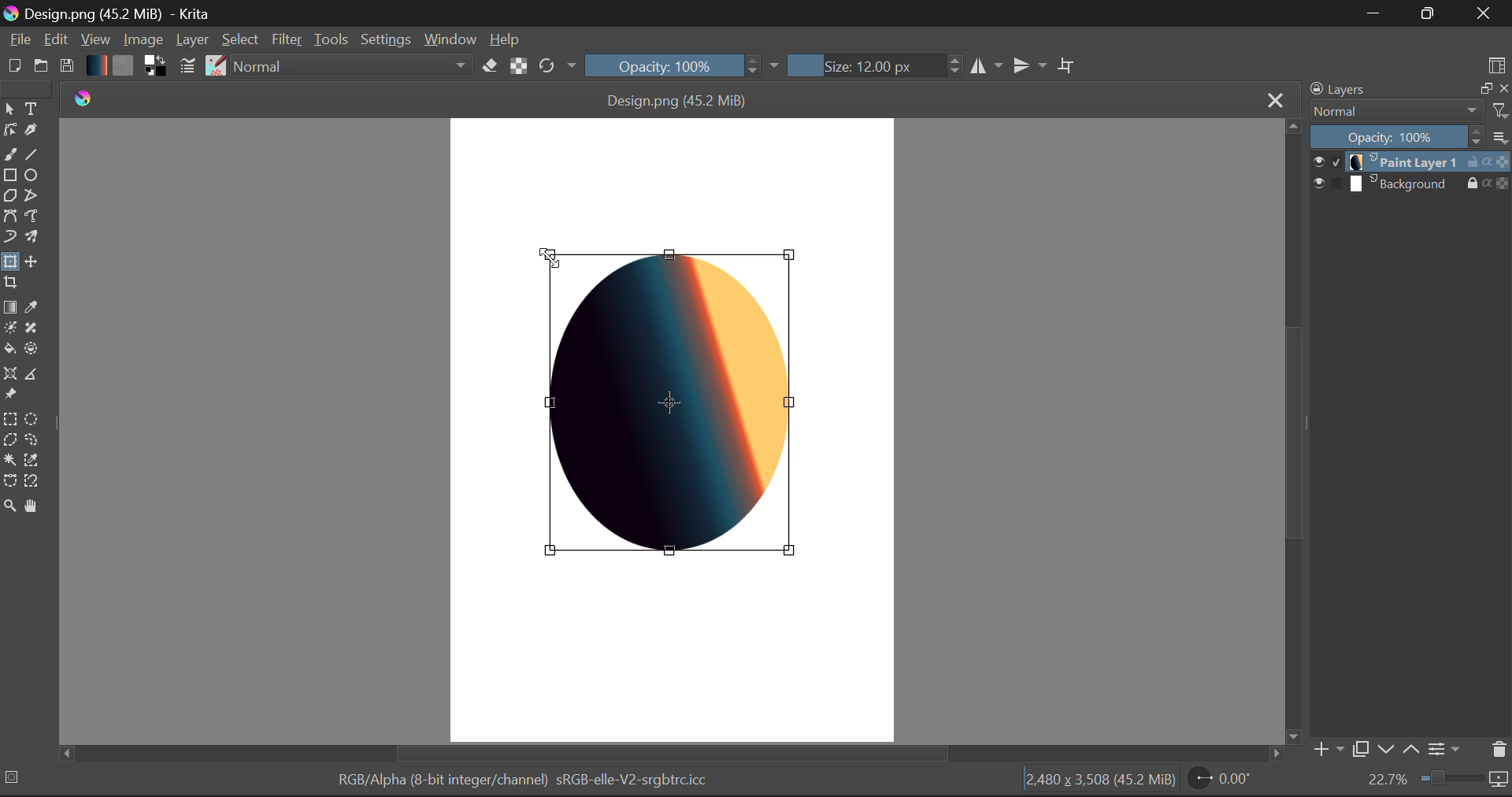  I want to click on Multibrush Tool, so click(30, 237).